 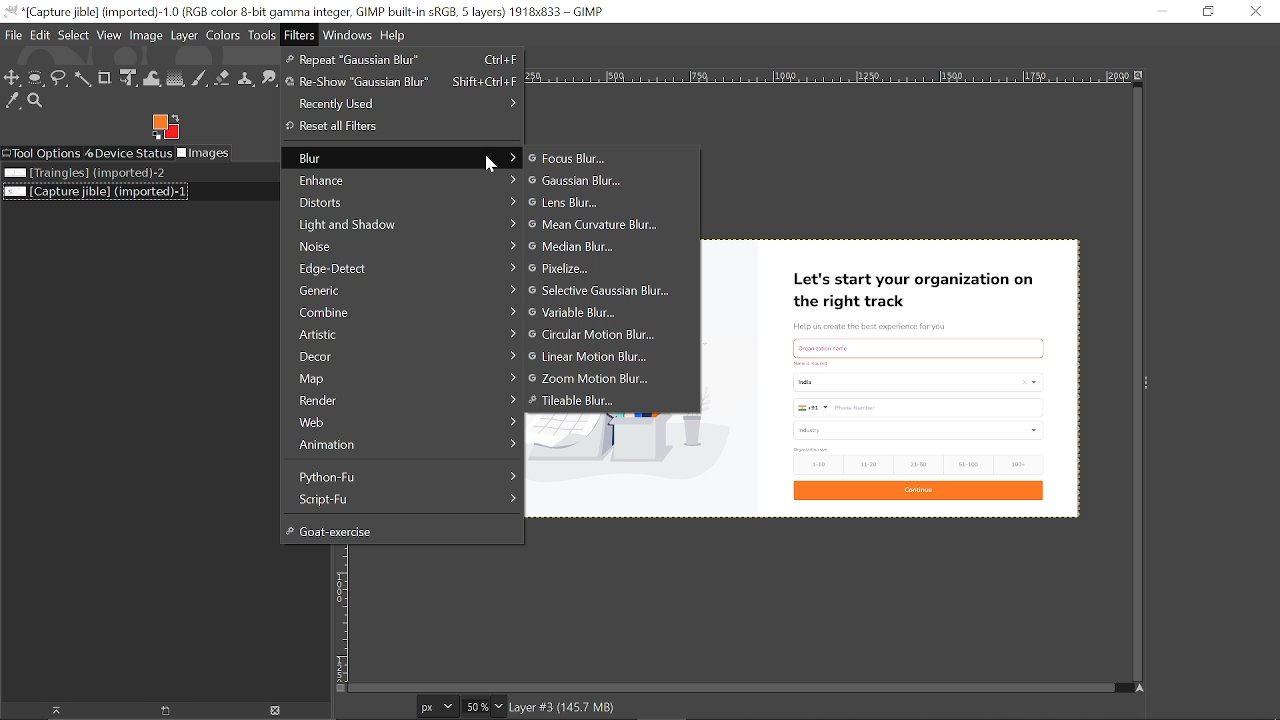 I want to click on Edit, so click(x=41, y=37).